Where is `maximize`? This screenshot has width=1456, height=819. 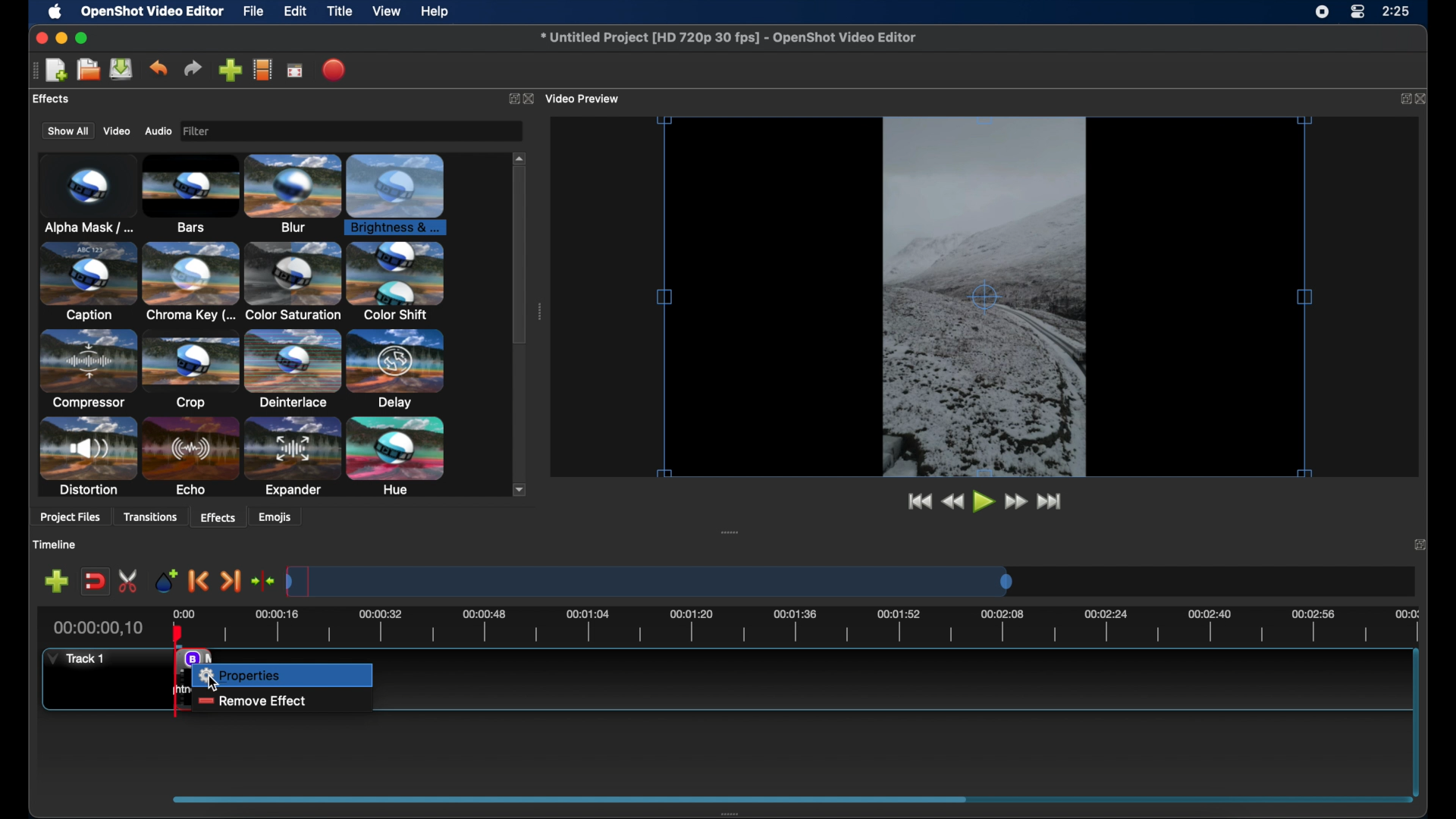 maximize is located at coordinates (83, 38).